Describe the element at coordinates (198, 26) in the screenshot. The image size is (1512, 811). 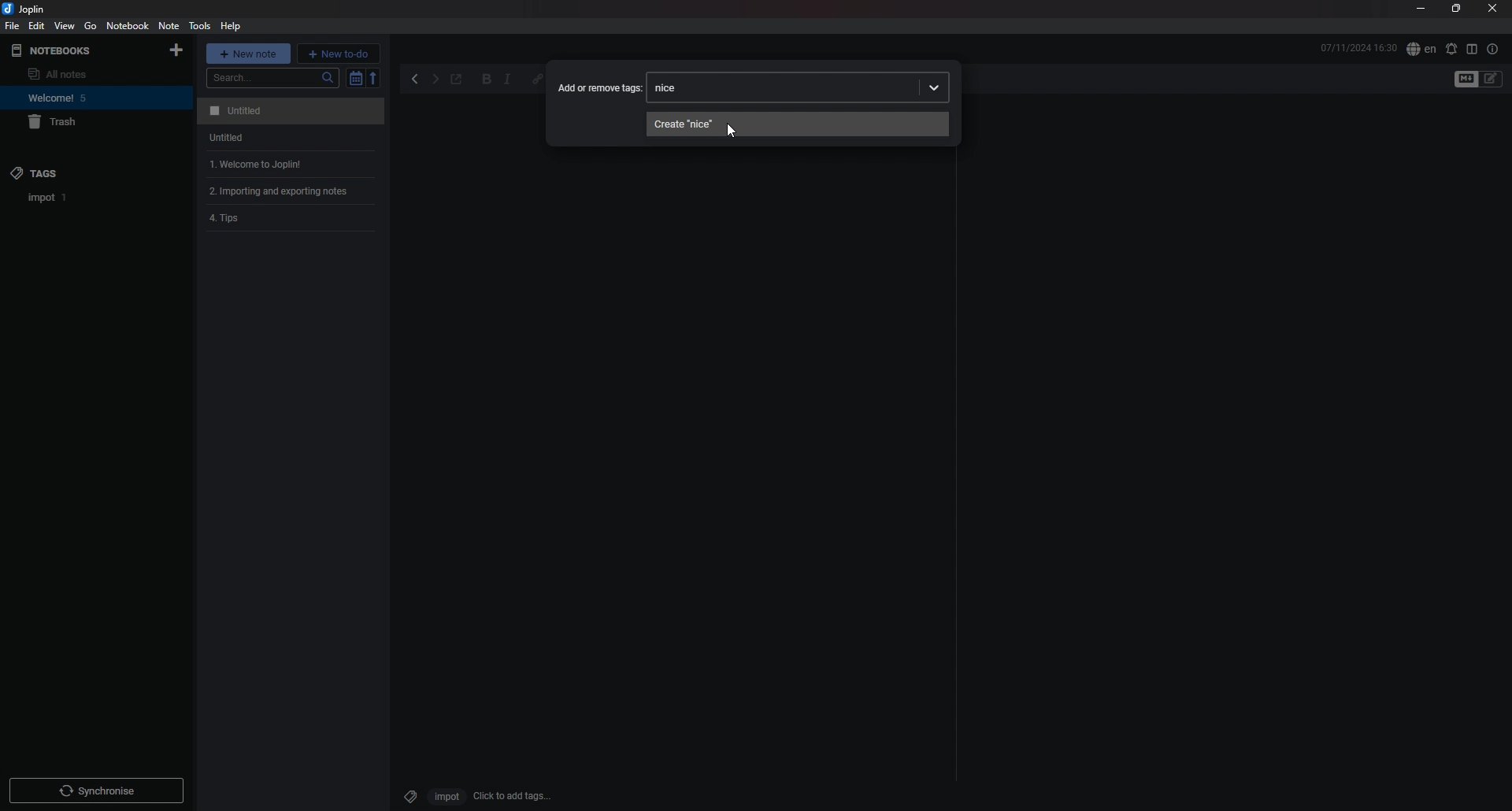
I see `tools` at that location.